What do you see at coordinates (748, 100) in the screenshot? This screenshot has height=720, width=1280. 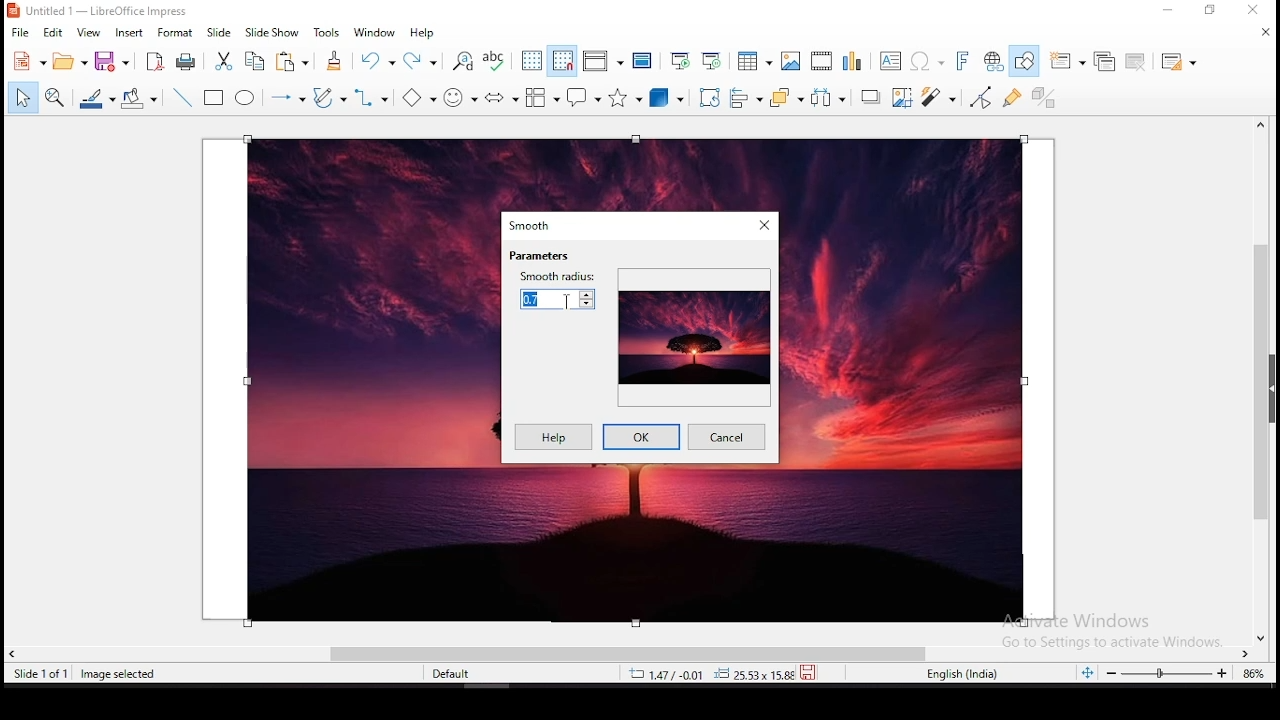 I see `align objects` at bounding box center [748, 100].